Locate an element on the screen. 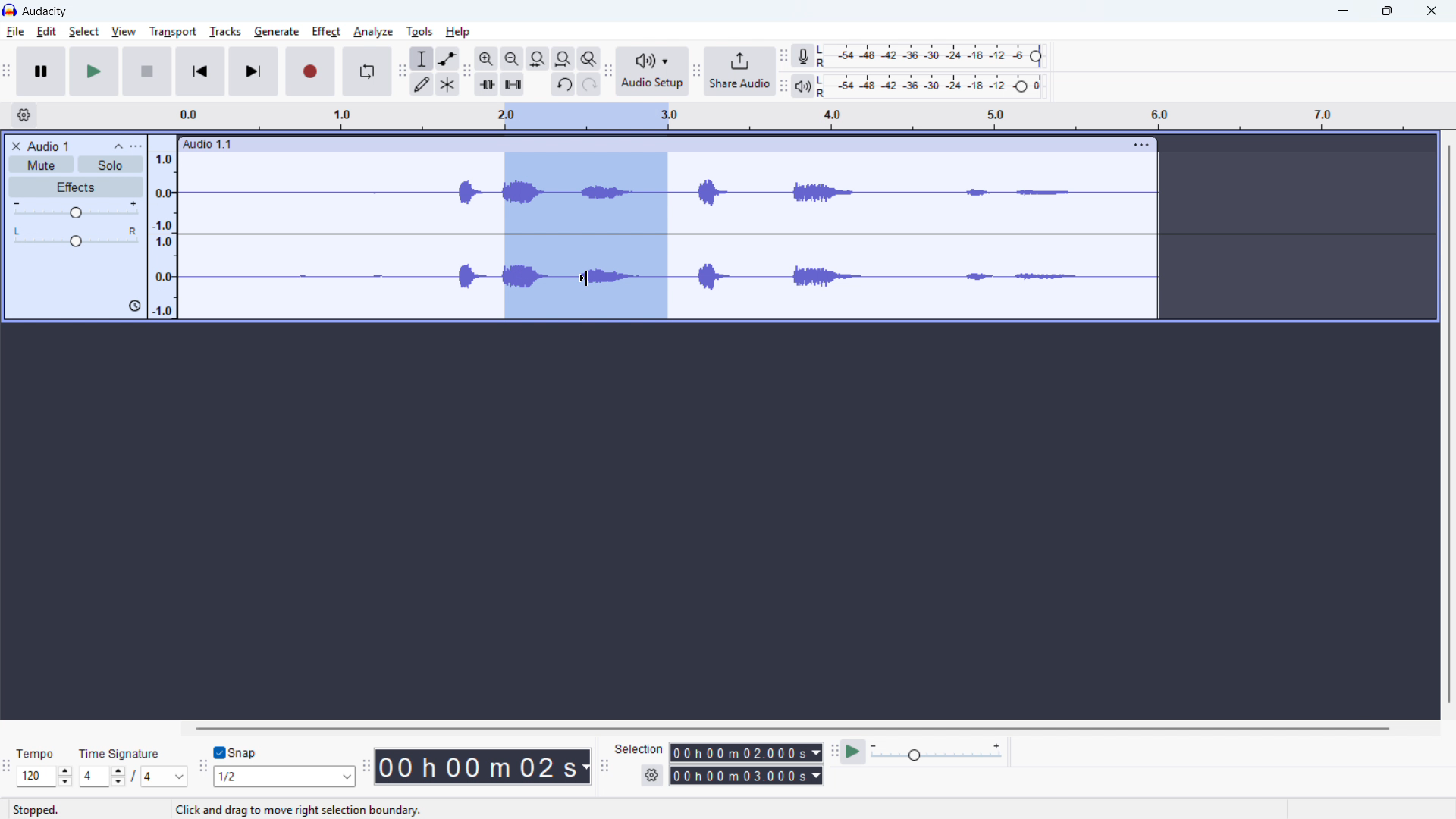  Play at speed toolbar is located at coordinates (833, 752).